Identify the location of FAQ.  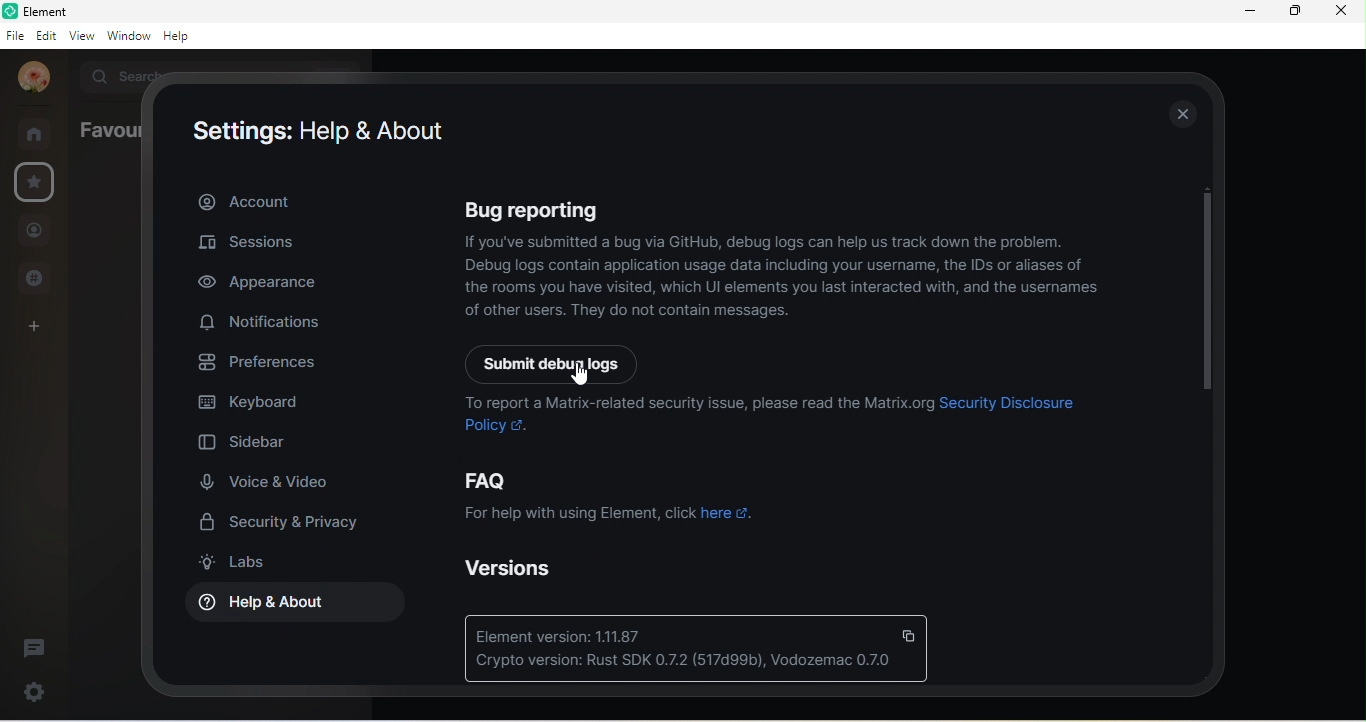
(603, 480).